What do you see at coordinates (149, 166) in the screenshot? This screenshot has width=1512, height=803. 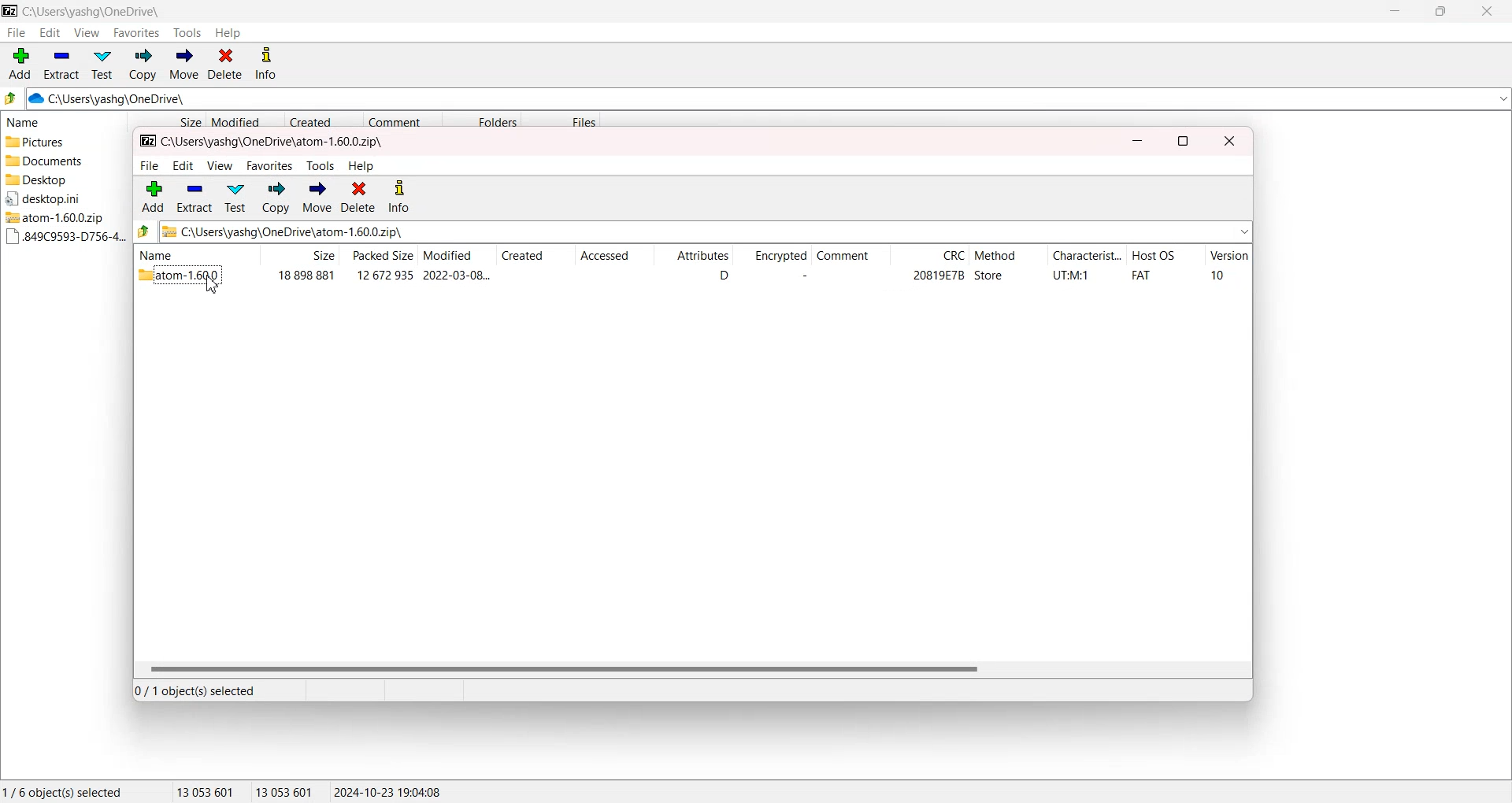 I see `file` at bounding box center [149, 166].